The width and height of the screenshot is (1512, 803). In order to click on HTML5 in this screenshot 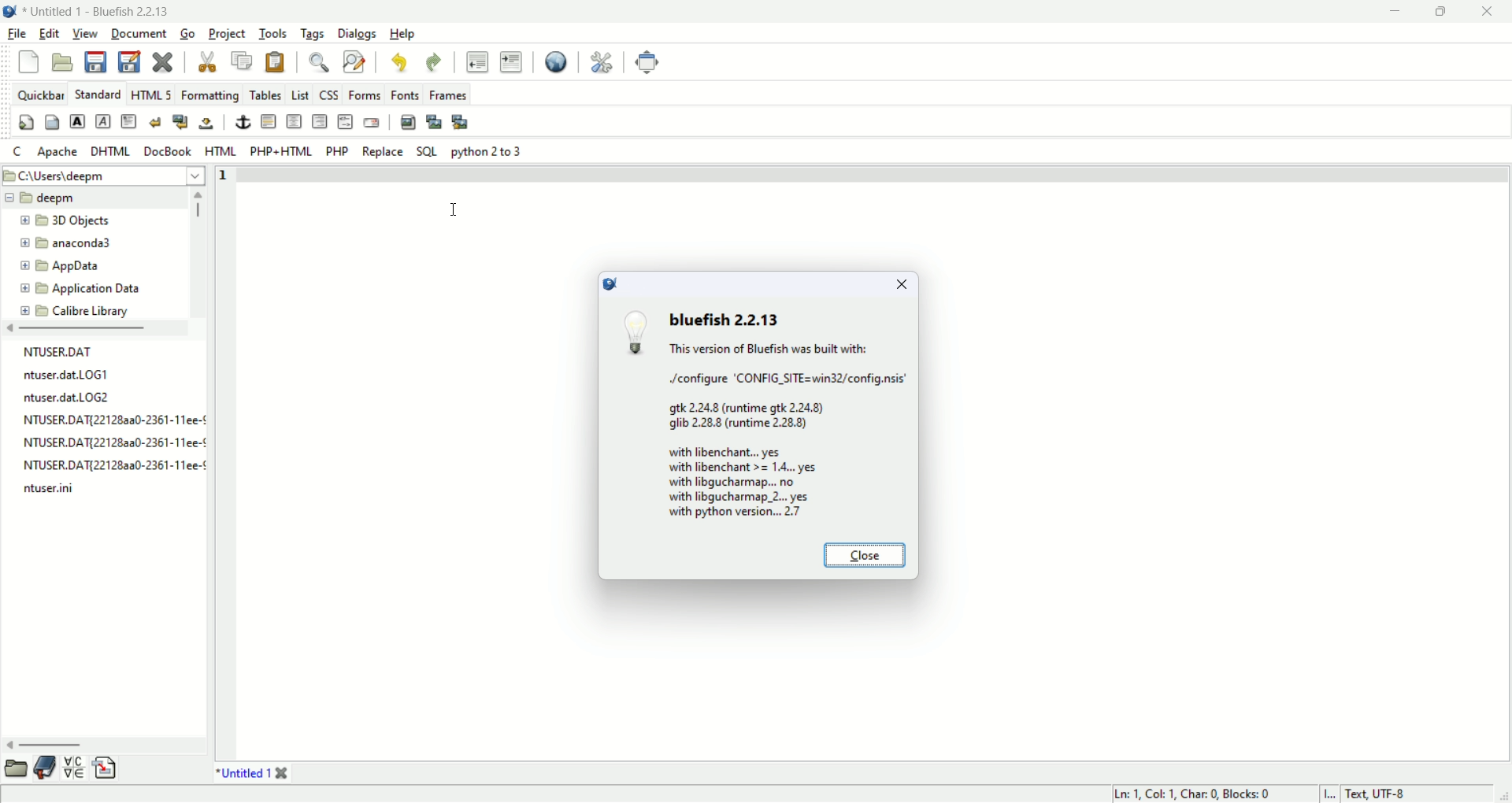, I will do `click(150, 94)`.